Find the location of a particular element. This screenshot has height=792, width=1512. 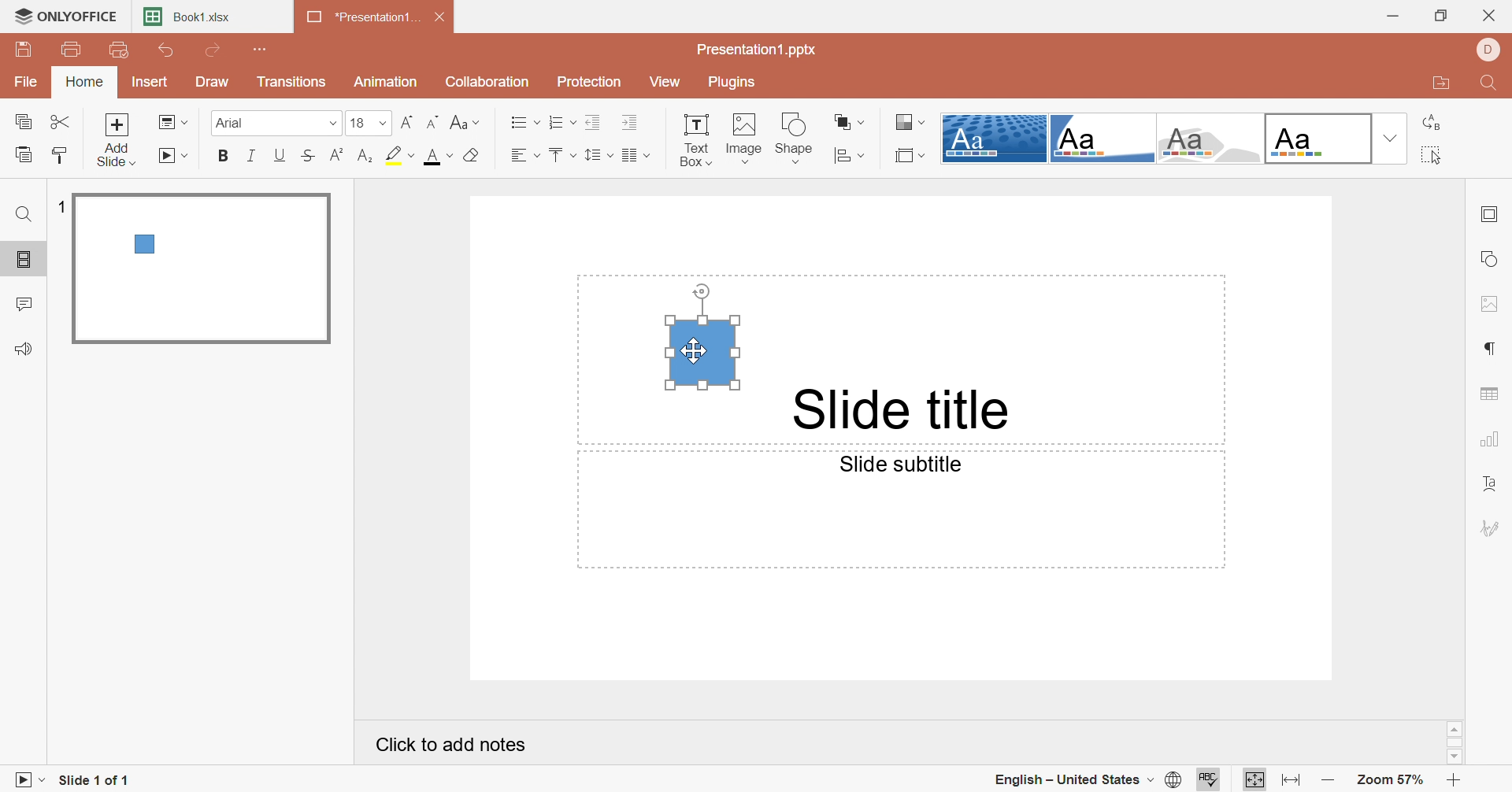

File is located at coordinates (28, 83).